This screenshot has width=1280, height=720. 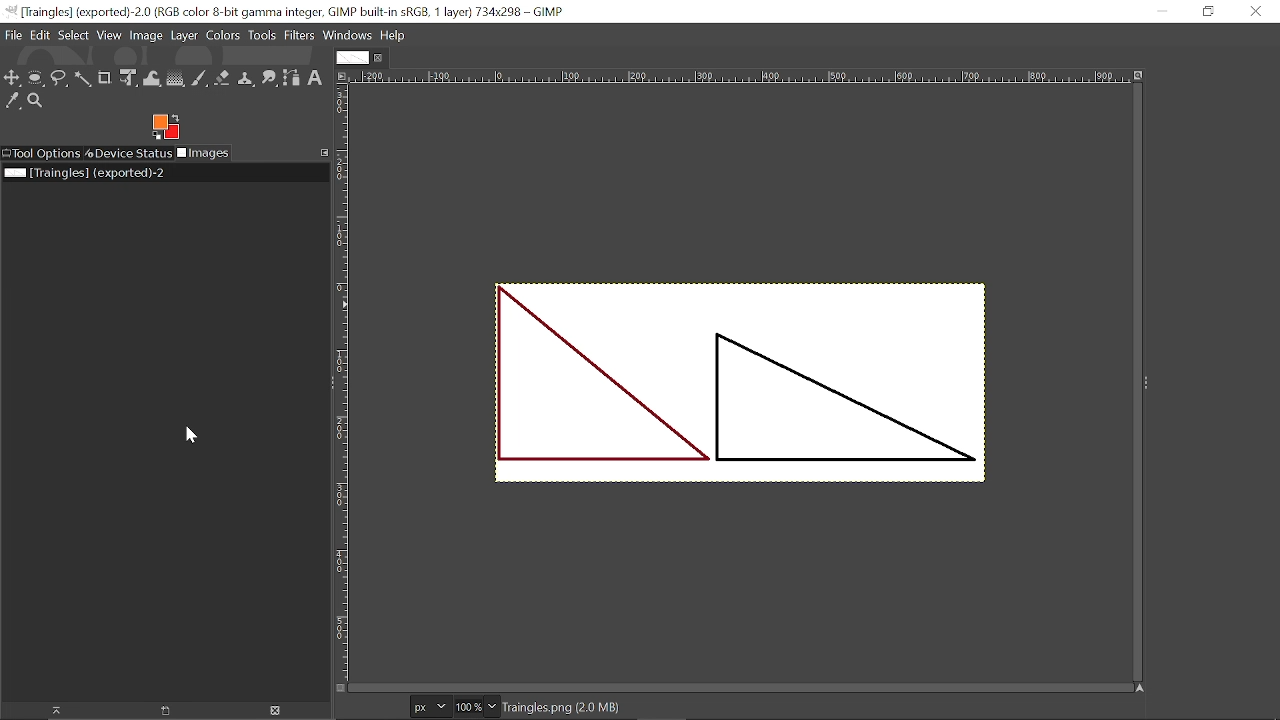 What do you see at coordinates (127, 78) in the screenshot?
I see `Unified transform tool` at bounding box center [127, 78].